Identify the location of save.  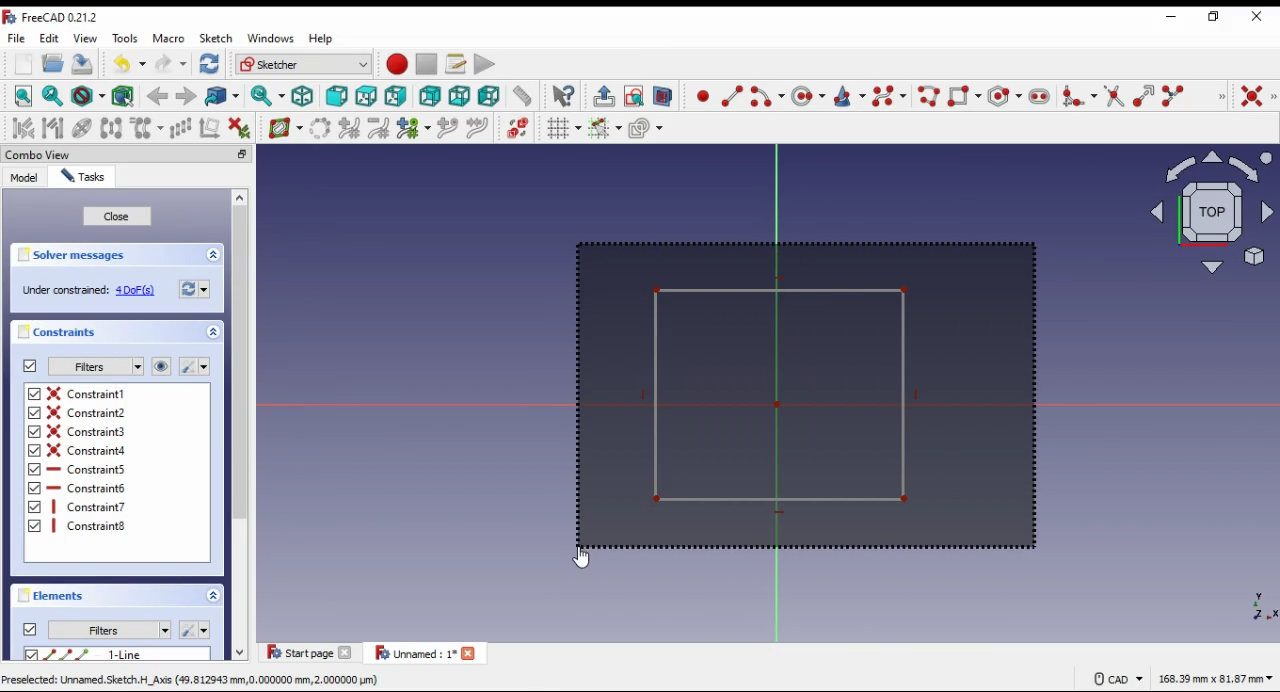
(84, 63).